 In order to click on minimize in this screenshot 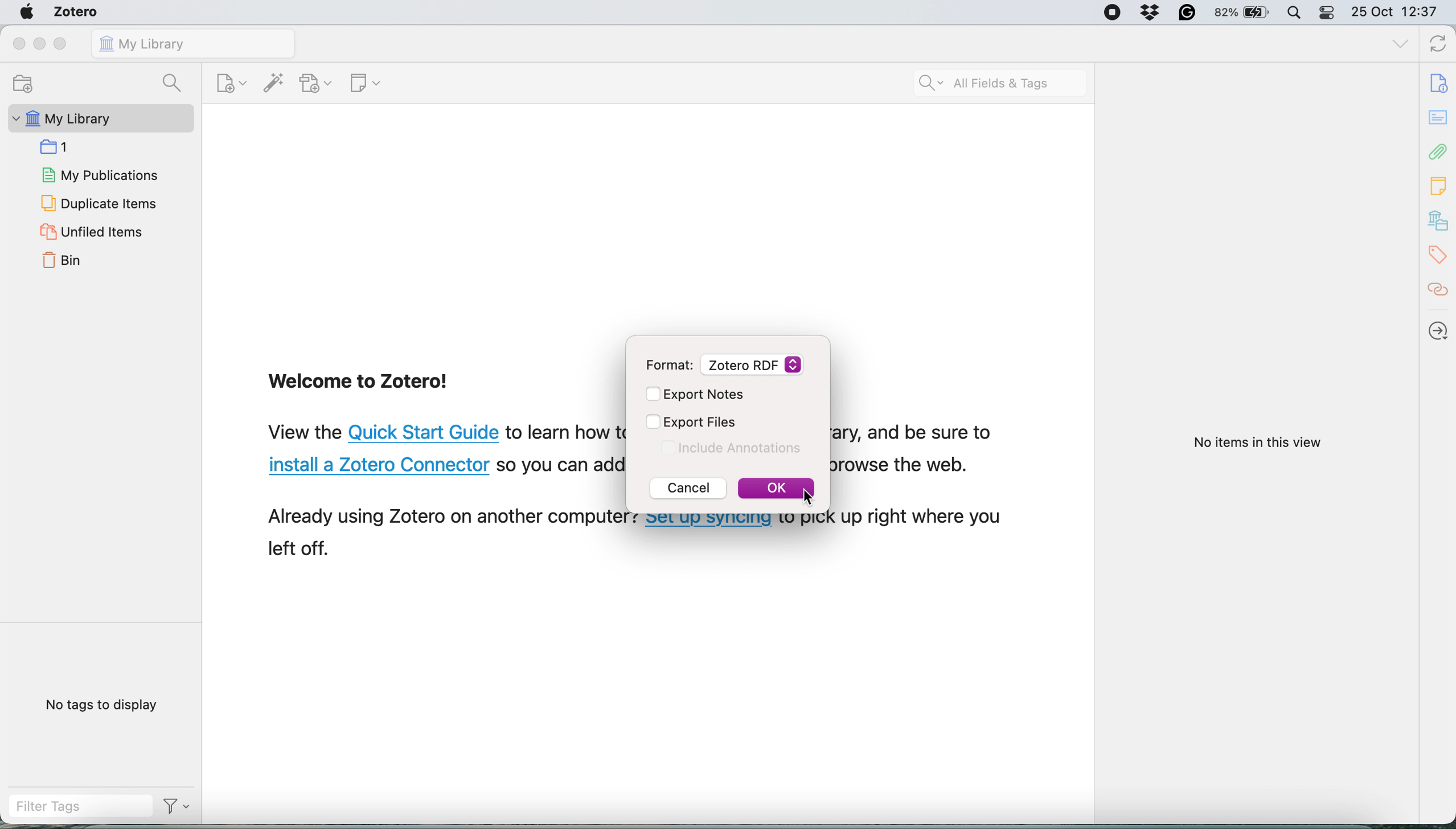, I will do `click(41, 46)`.